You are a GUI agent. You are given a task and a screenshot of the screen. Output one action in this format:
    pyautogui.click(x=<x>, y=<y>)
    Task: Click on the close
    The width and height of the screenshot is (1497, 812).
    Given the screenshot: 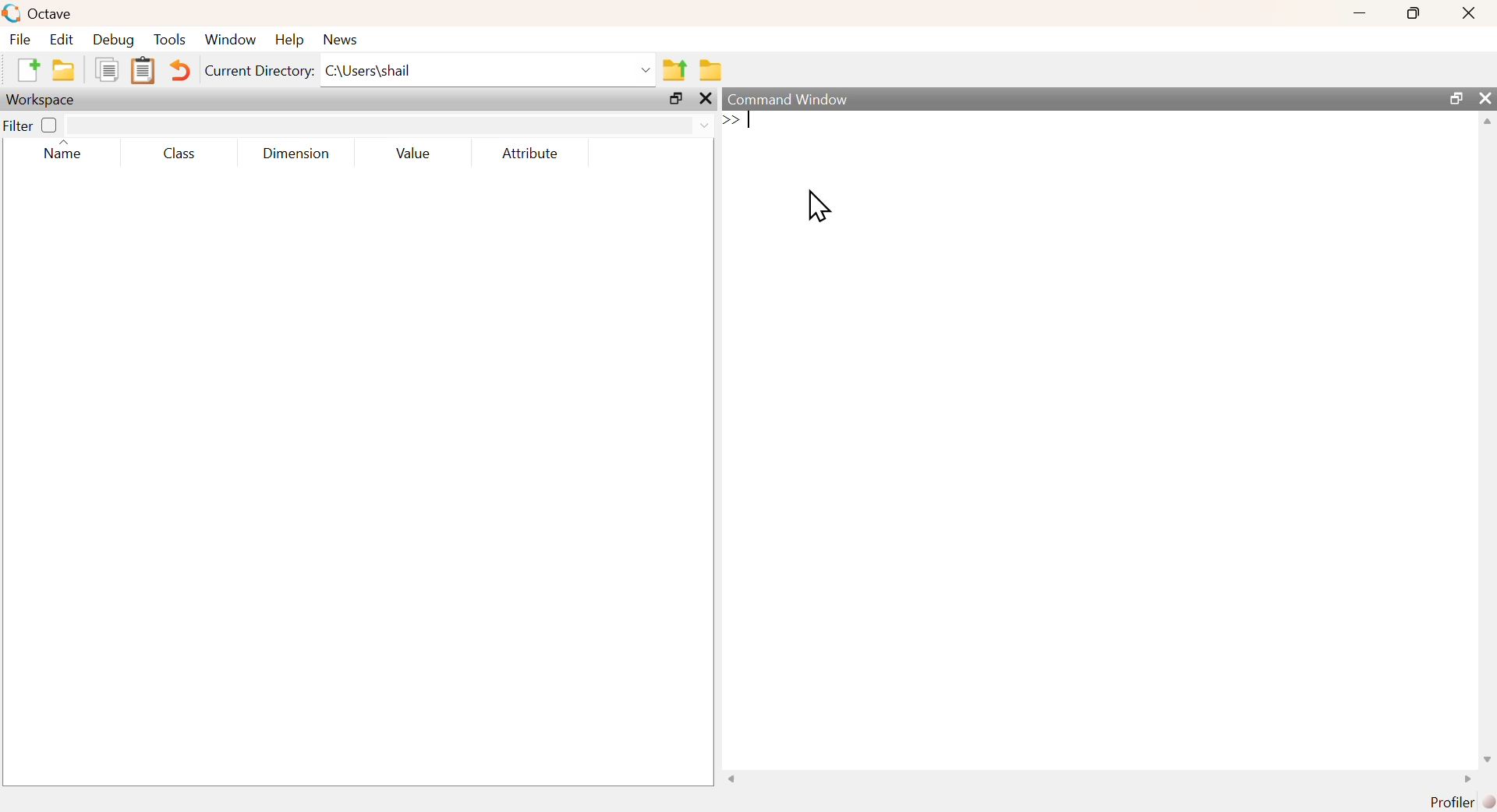 What is the action you would take?
    pyautogui.click(x=1485, y=97)
    